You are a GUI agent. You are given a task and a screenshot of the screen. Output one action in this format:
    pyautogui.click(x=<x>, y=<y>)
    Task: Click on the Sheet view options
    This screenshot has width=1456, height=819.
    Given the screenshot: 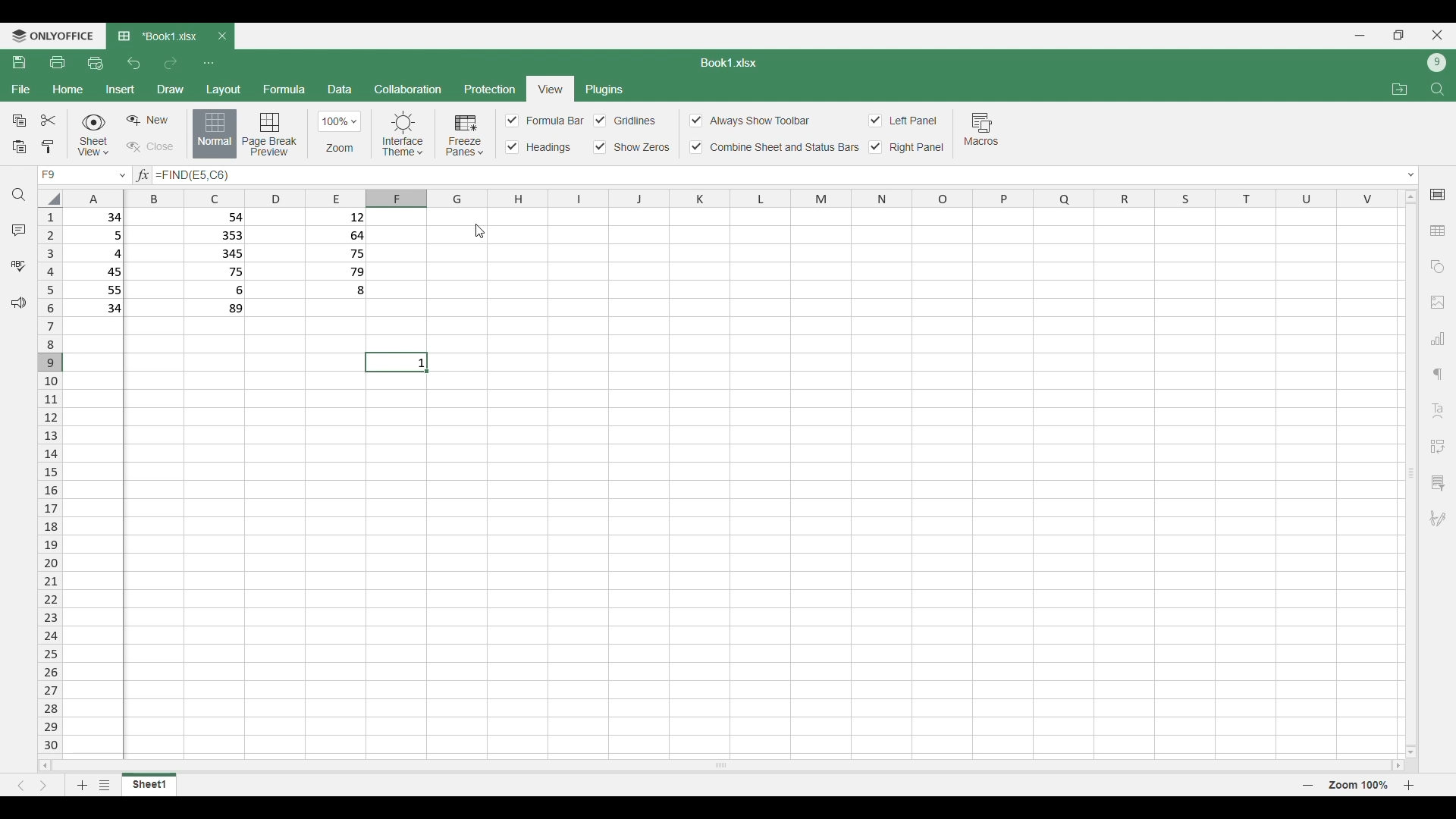 What is the action you would take?
    pyautogui.click(x=93, y=135)
    